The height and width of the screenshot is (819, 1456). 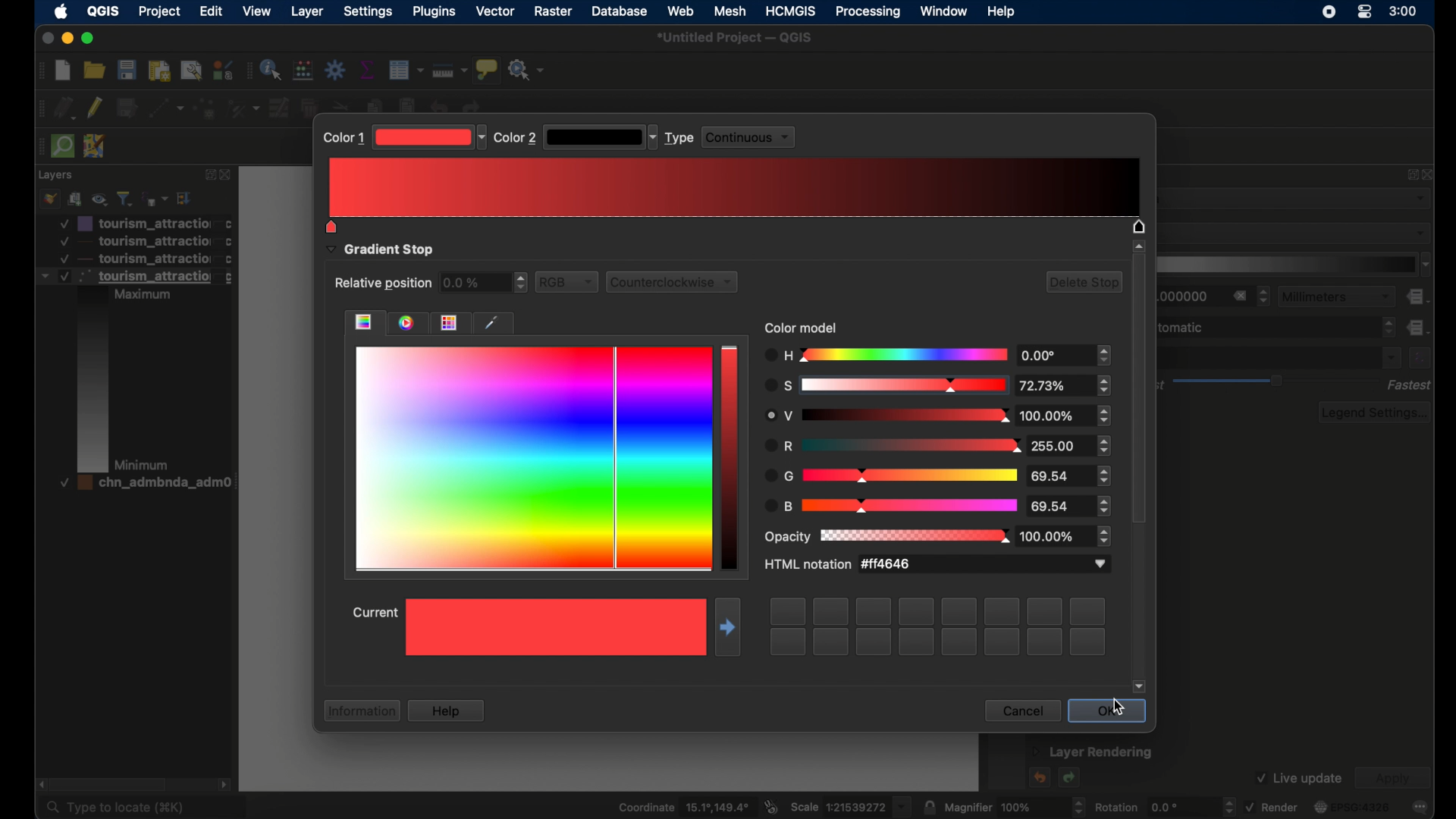 I want to click on add point features, so click(x=206, y=107).